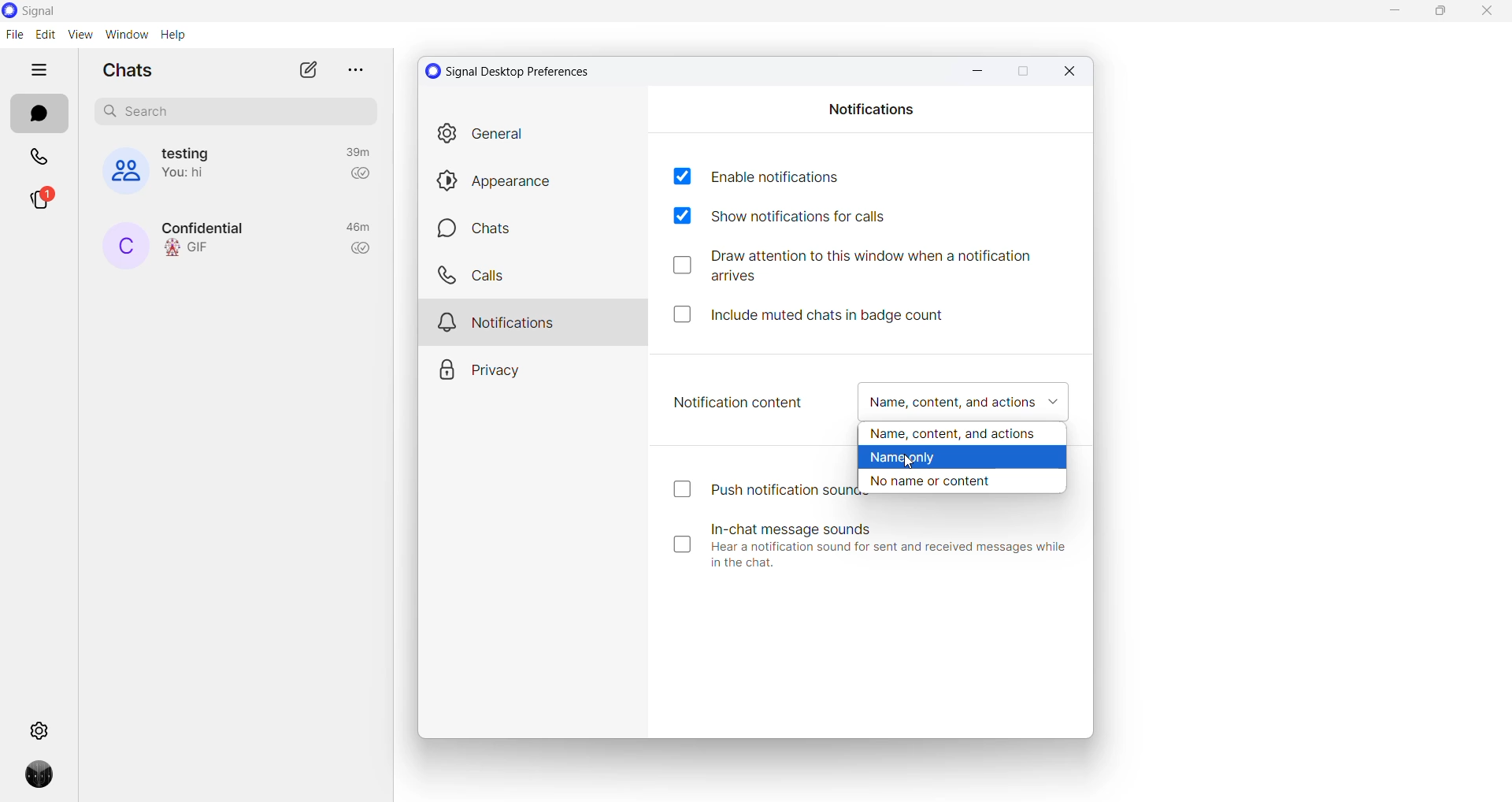  Describe the element at coordinates (360, 177) in the screenshot. I see `read recipient` at that location.